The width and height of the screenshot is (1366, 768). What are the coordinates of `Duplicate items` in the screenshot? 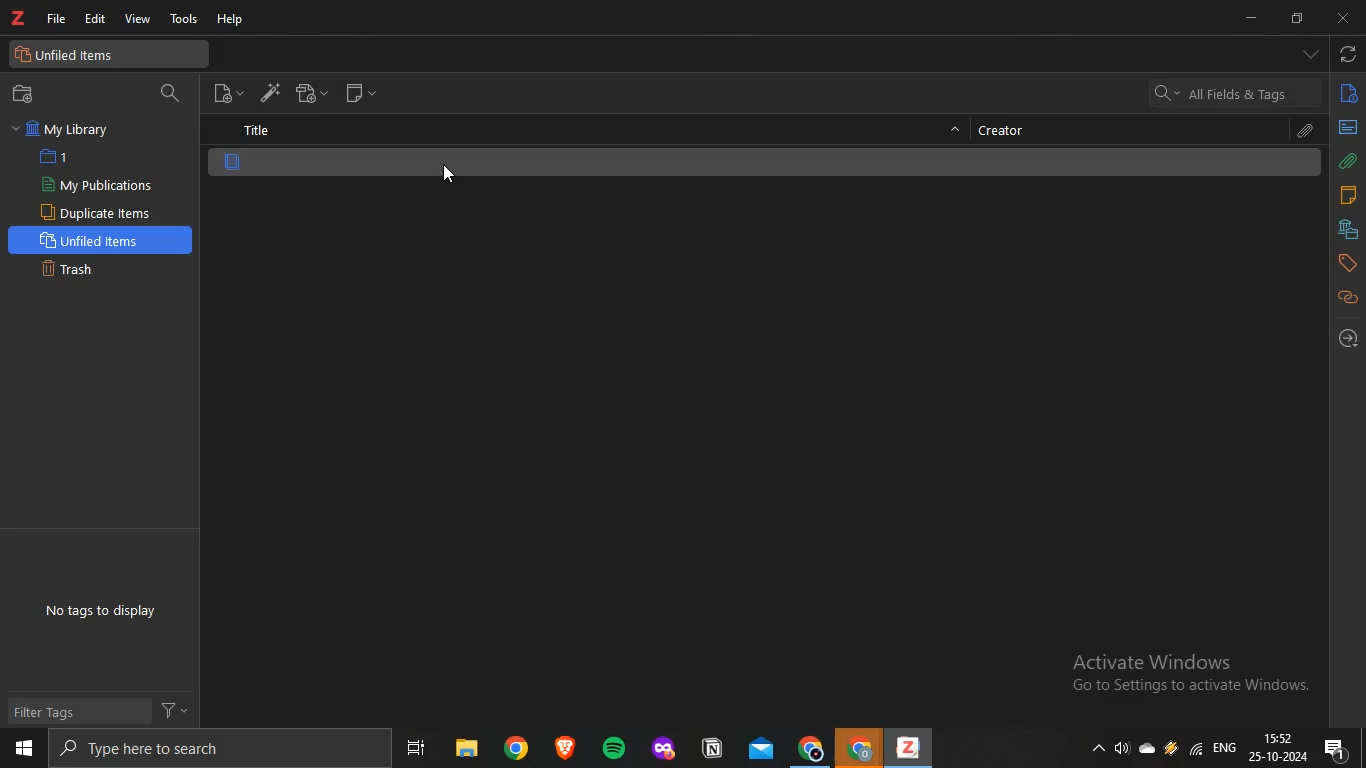 It's located at (97, 212).